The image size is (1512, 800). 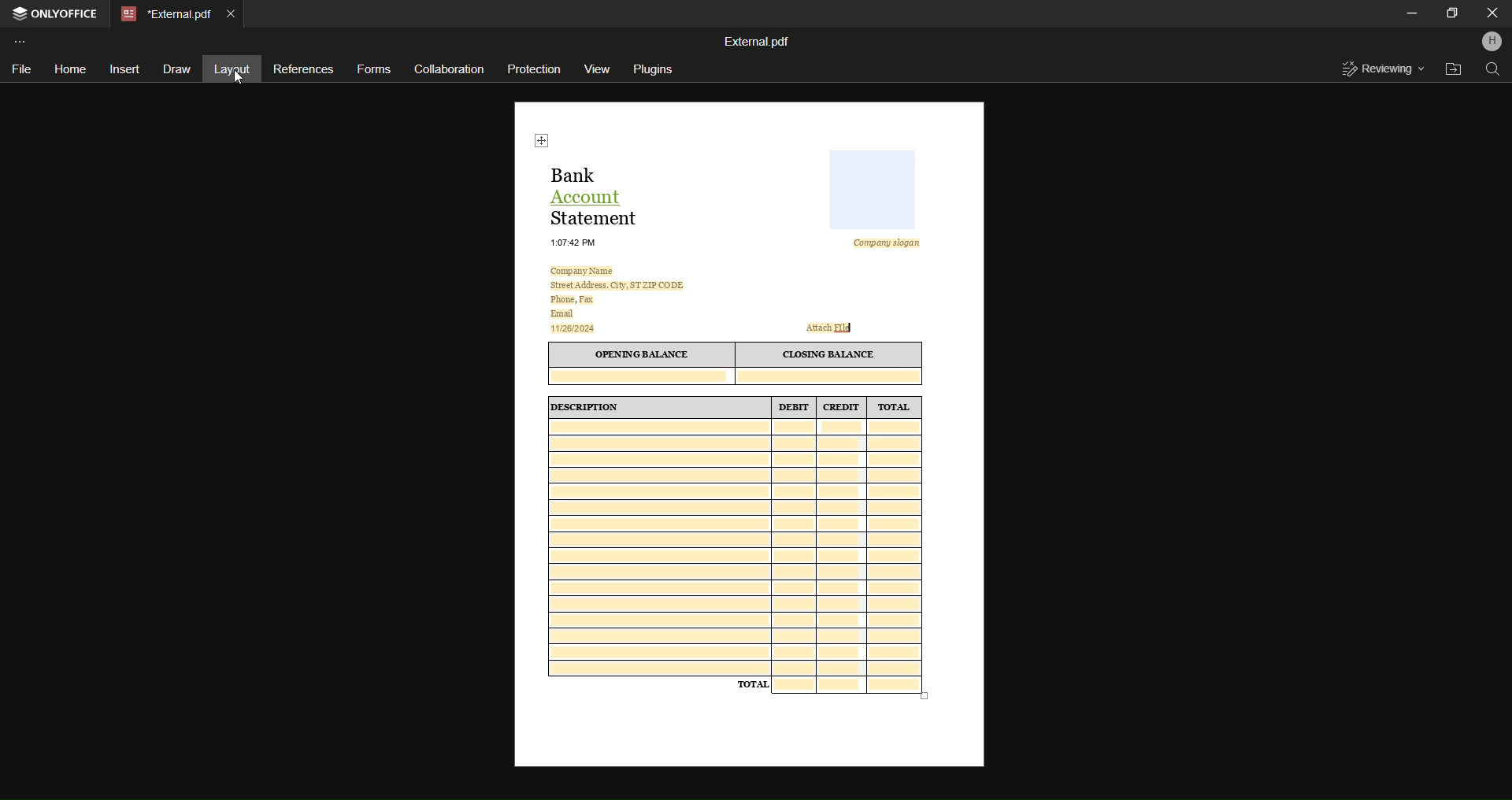 I want to click on Forms, so click(x=373, y=69).